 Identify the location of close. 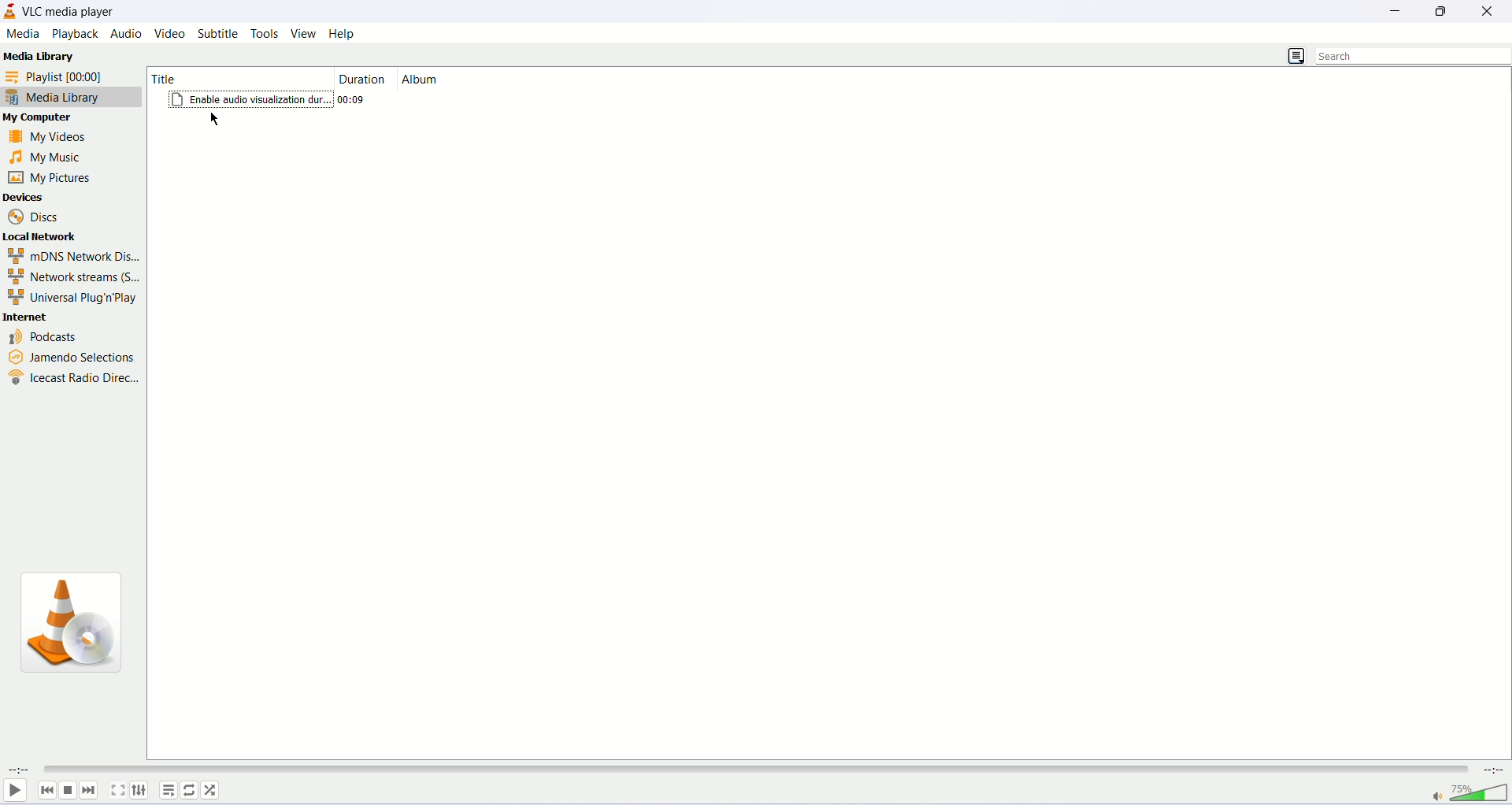
(1492, 9).